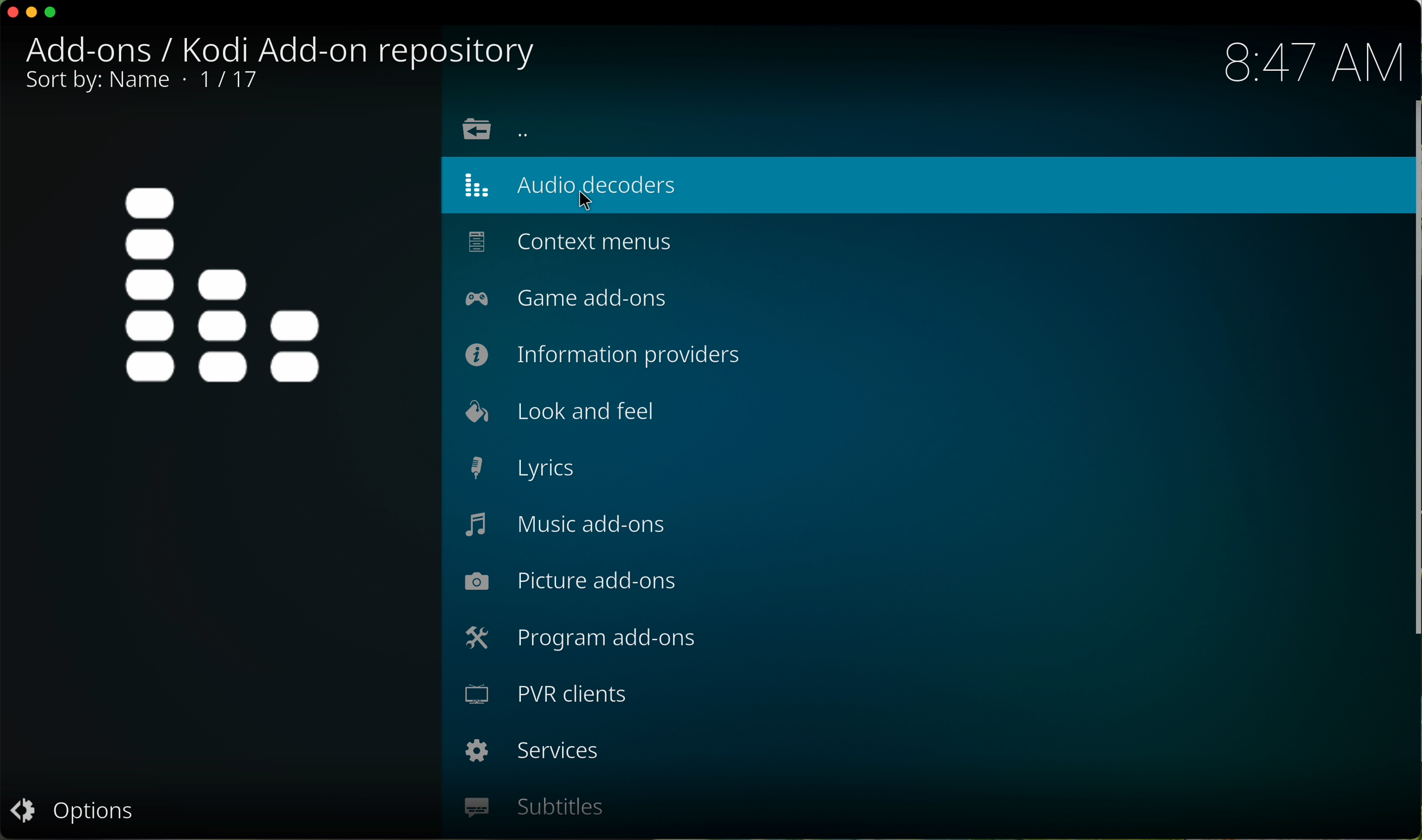  What do you see at coordinates (562, 412) in the screenshot?
I see `look and feel` at bounding box center [562, 412].